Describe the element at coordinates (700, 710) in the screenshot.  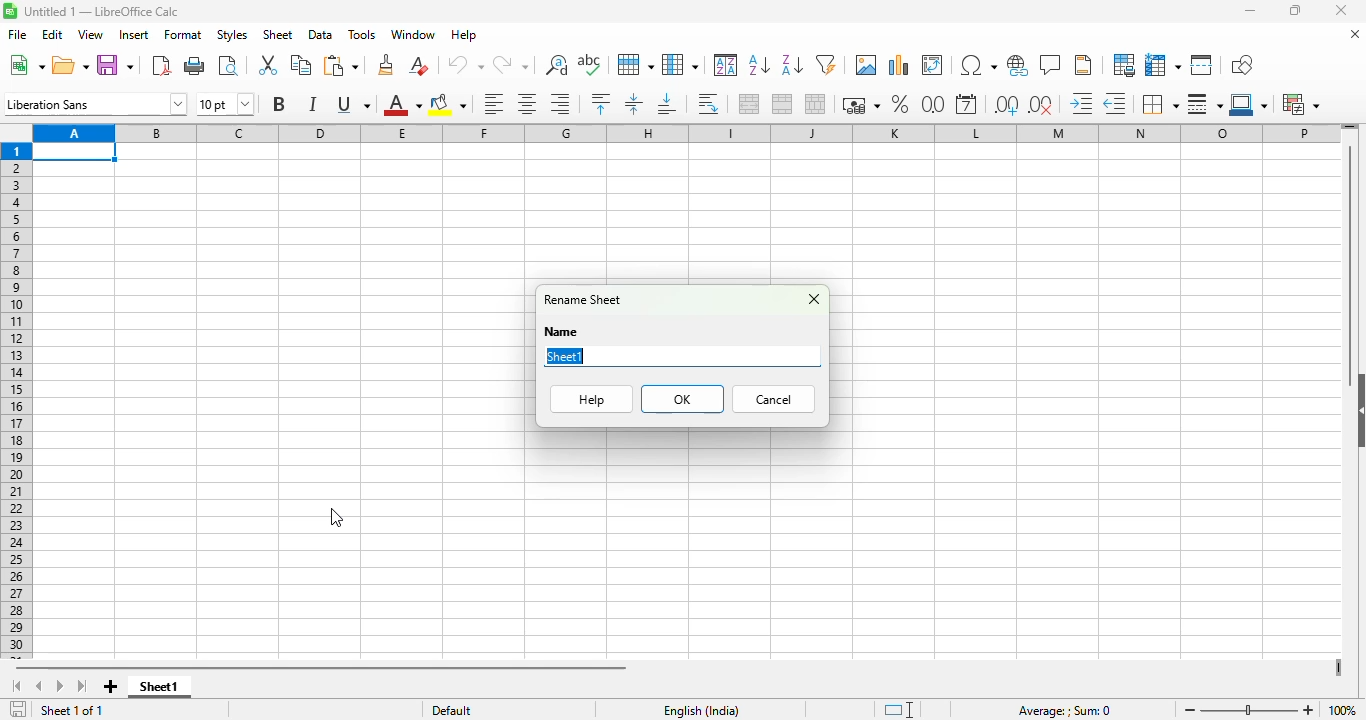
I see `English (India)` at that location.